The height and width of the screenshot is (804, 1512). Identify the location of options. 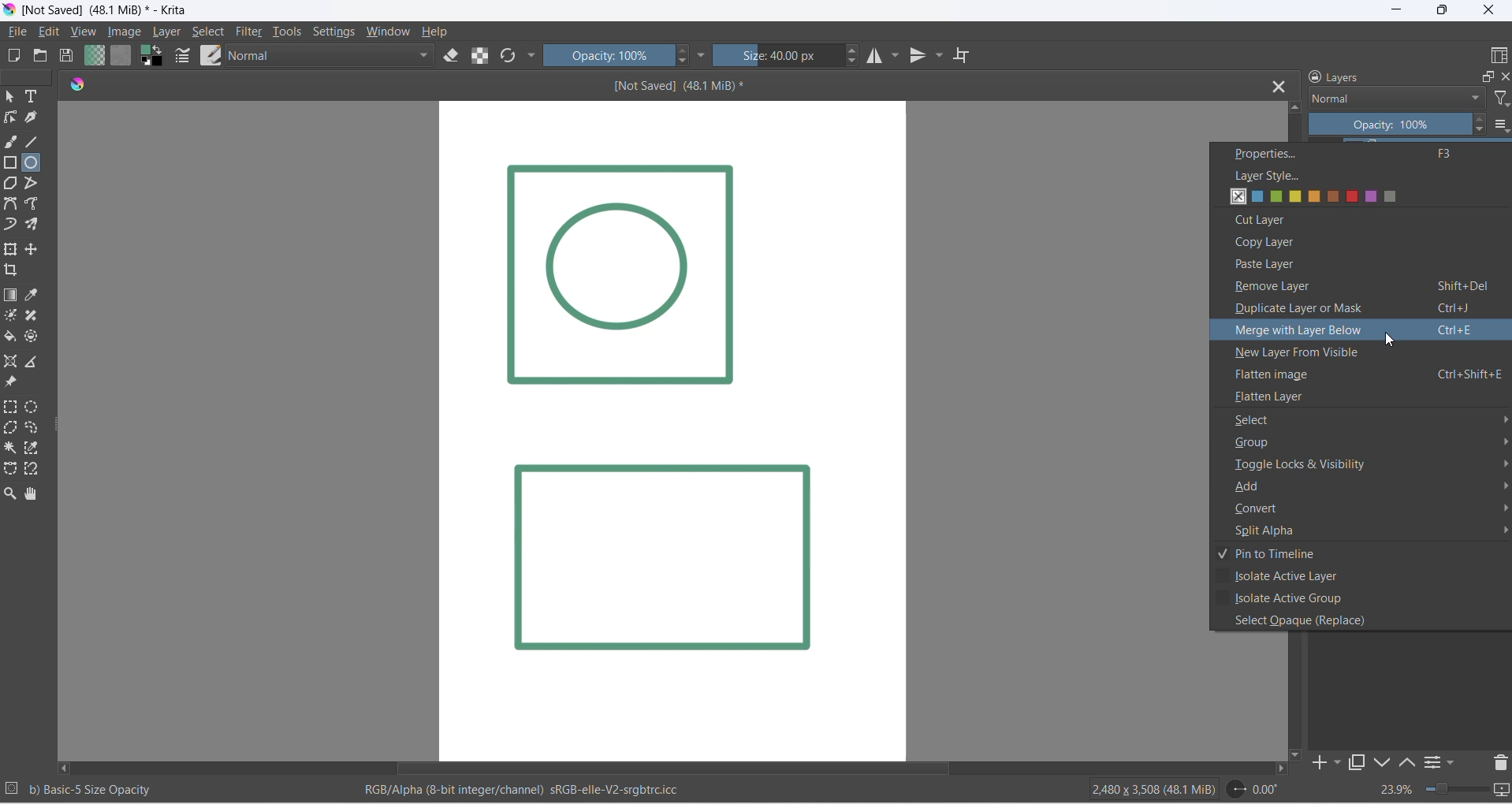
(1503, 124).